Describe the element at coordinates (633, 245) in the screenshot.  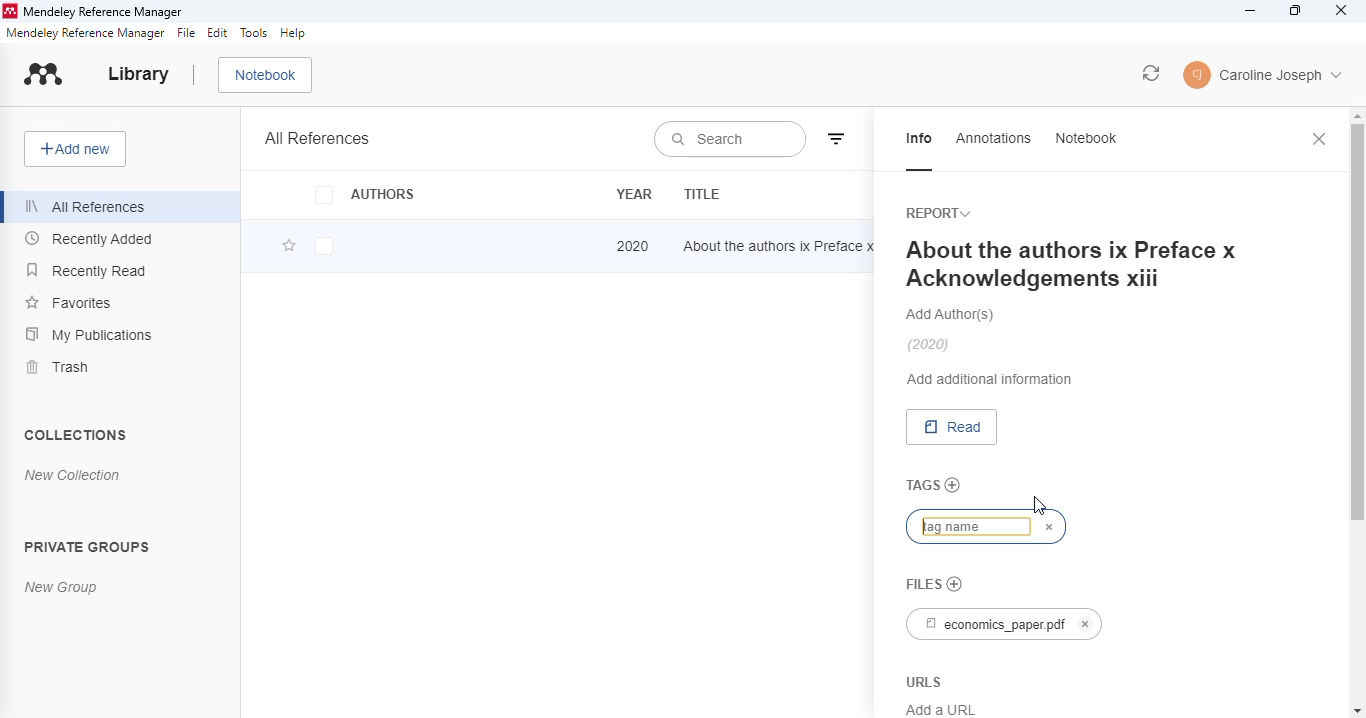
I see `2020` at that location.